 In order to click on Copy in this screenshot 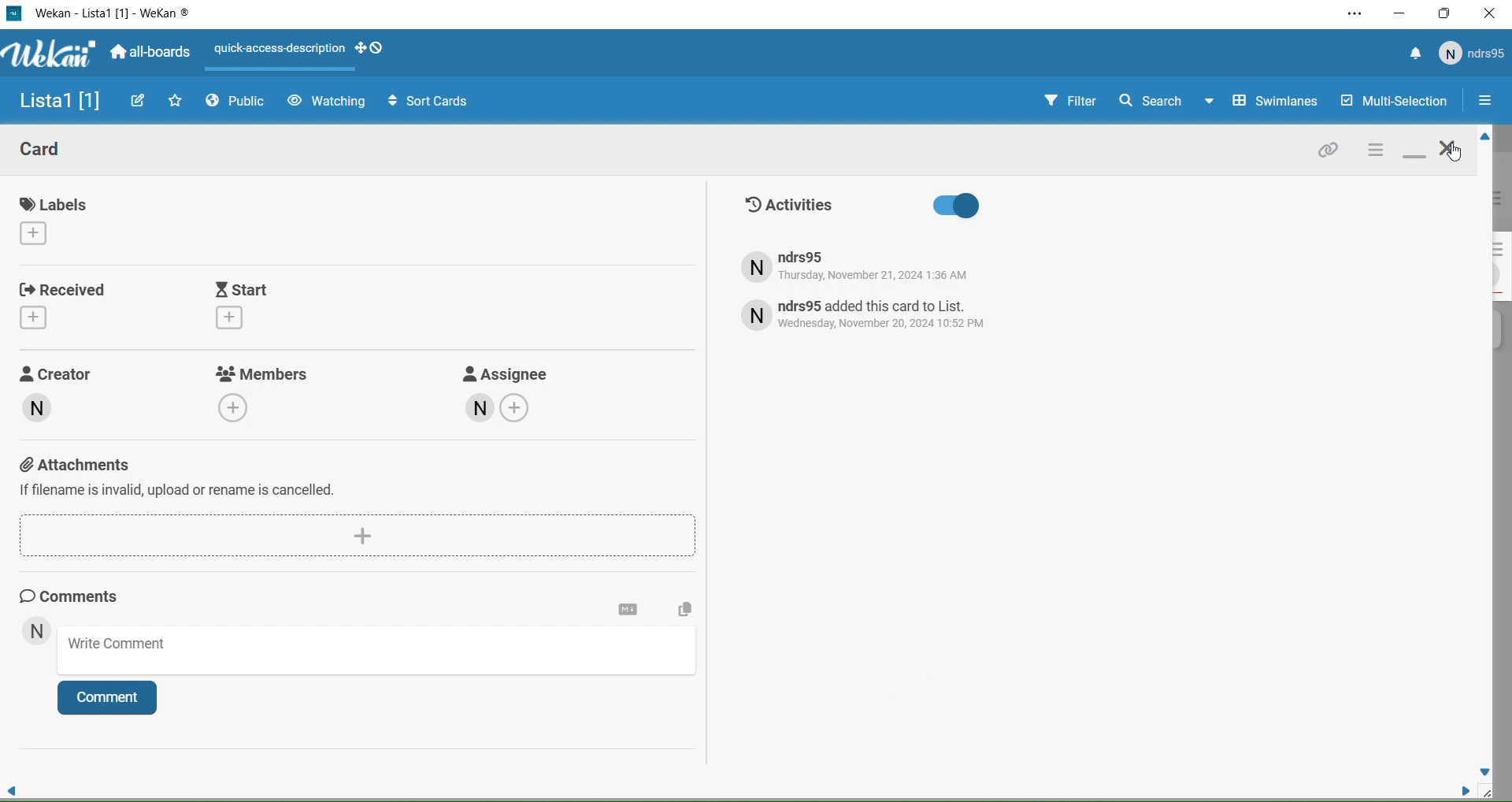, I will do `click(682, 611)`.